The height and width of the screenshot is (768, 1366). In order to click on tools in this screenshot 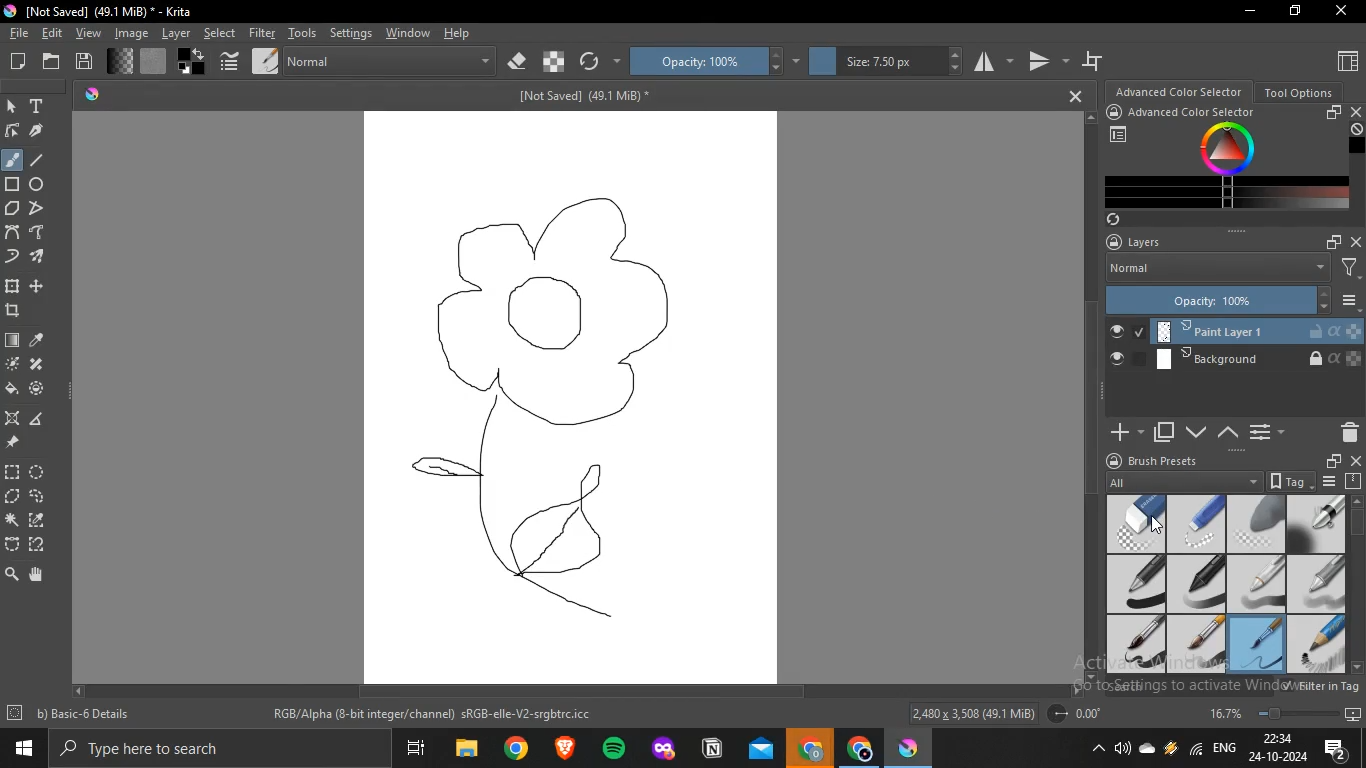, I will do `click(303, 33)`.